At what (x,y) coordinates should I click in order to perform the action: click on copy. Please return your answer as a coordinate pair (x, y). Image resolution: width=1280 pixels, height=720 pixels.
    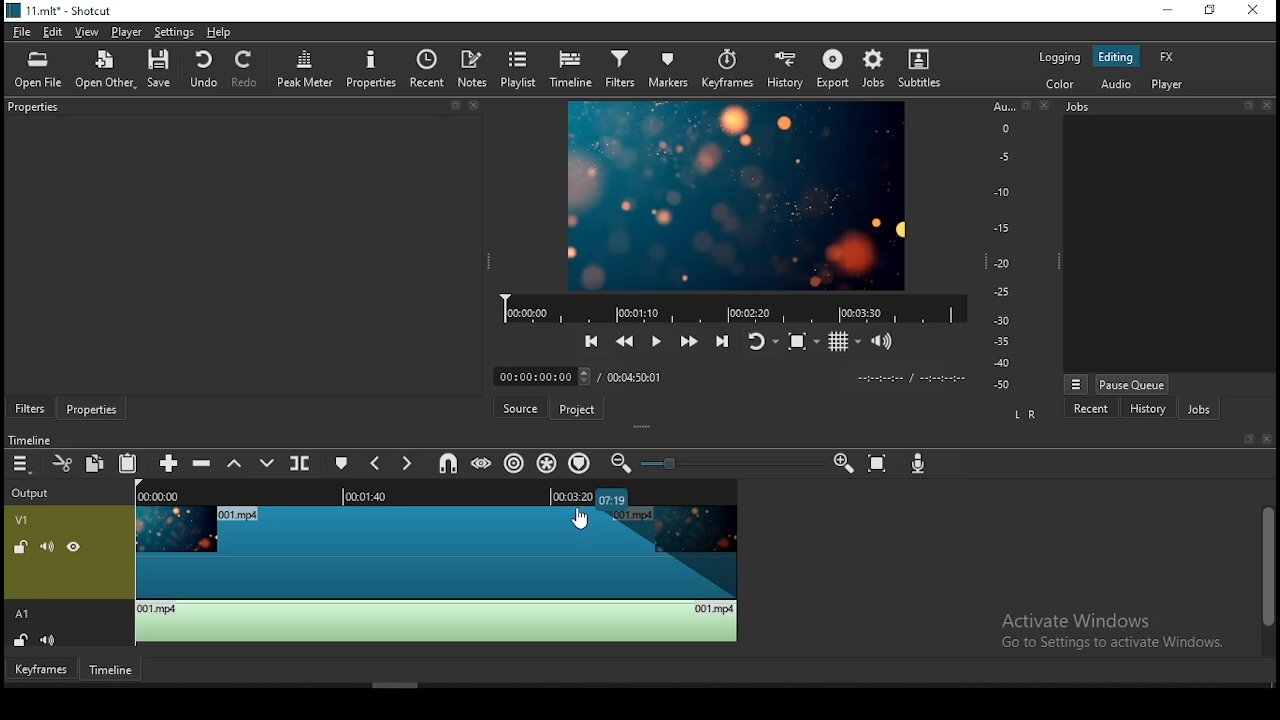
    Looking at the image, I should click on (96, 465).